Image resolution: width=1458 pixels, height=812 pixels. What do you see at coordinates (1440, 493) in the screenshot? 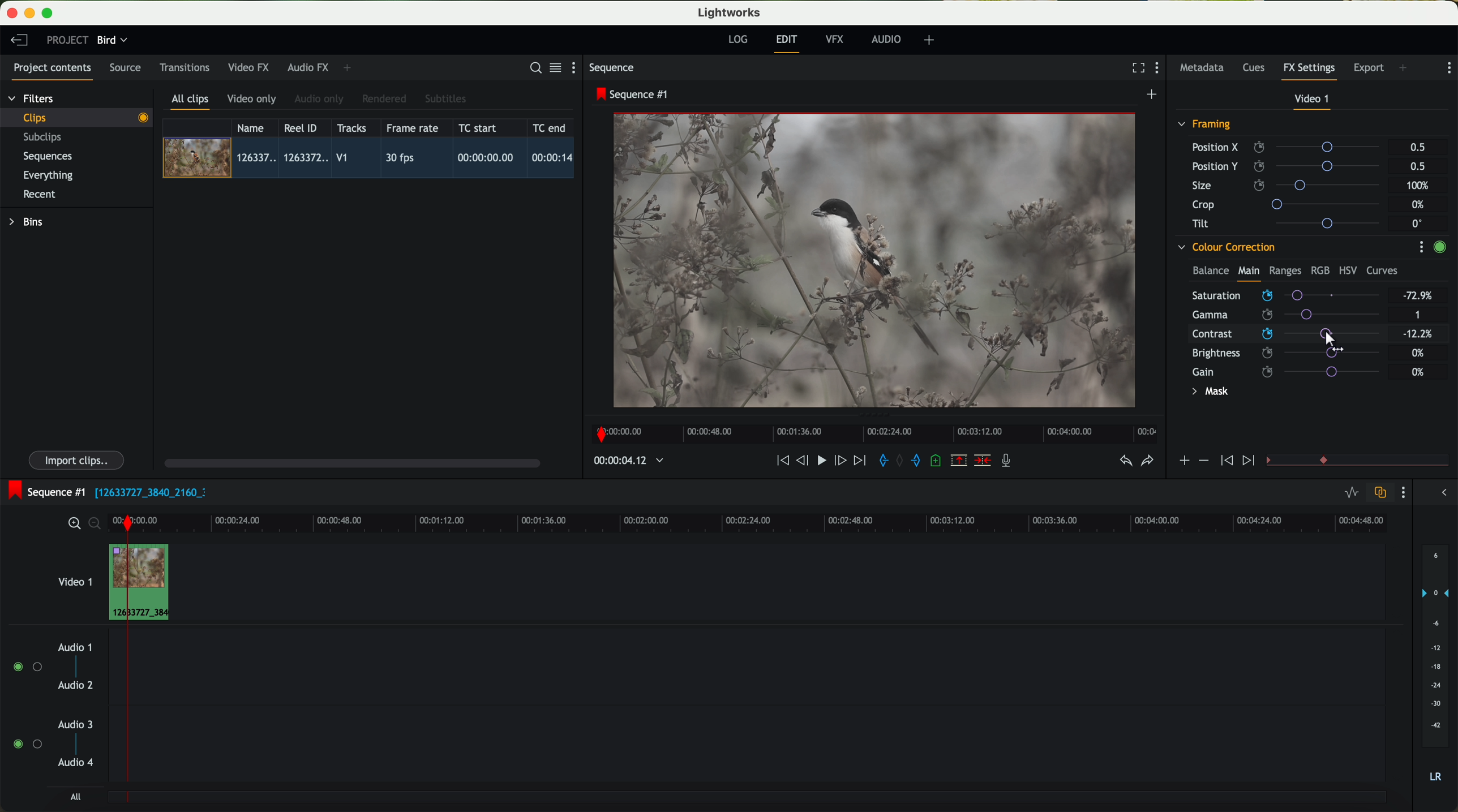
I see `show/hide the full audio mix` at bounding box center [1440, 493].